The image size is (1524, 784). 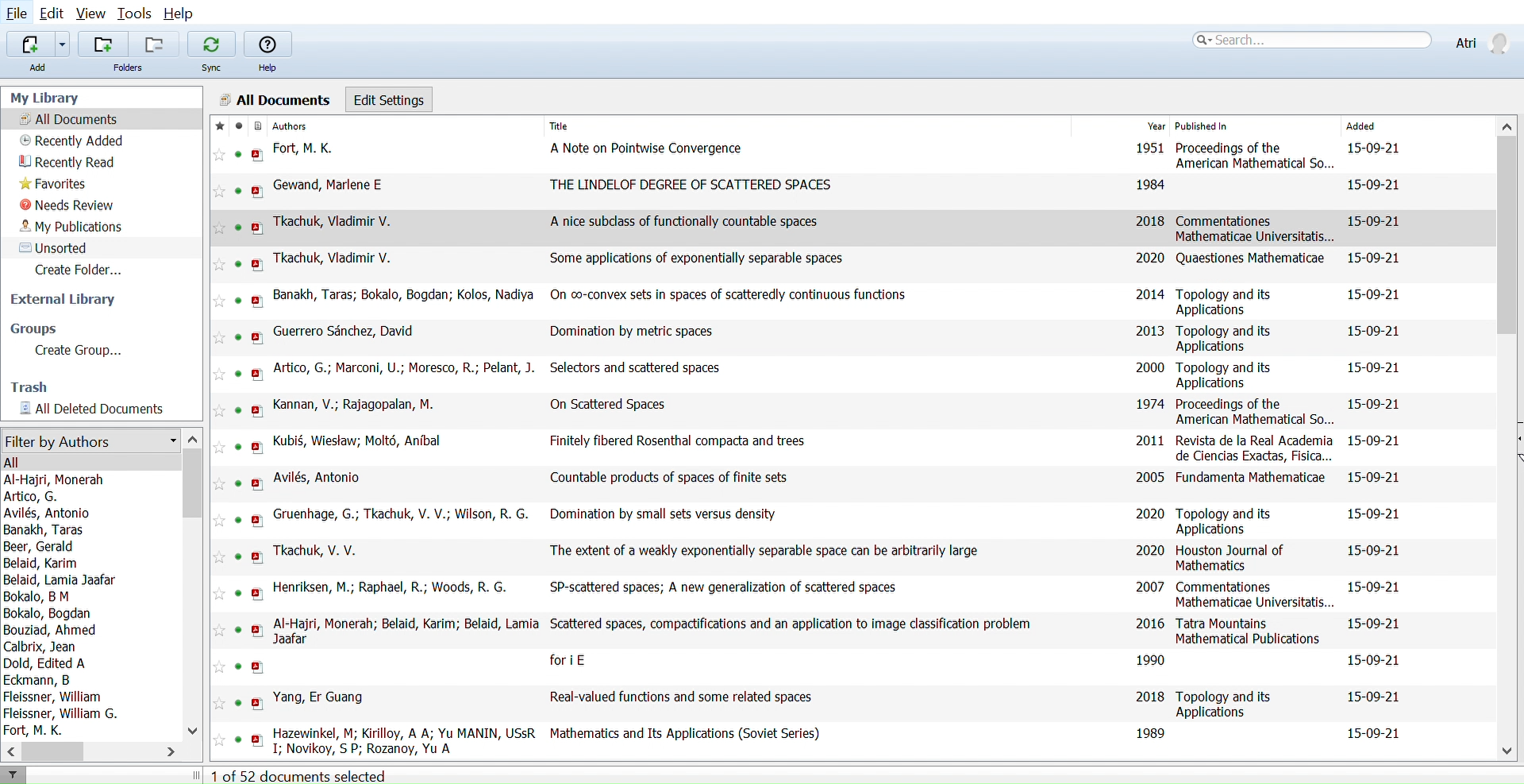 I want to click on Mathematics and Its Applications (Soviet Series), so click(x=686, y=734).